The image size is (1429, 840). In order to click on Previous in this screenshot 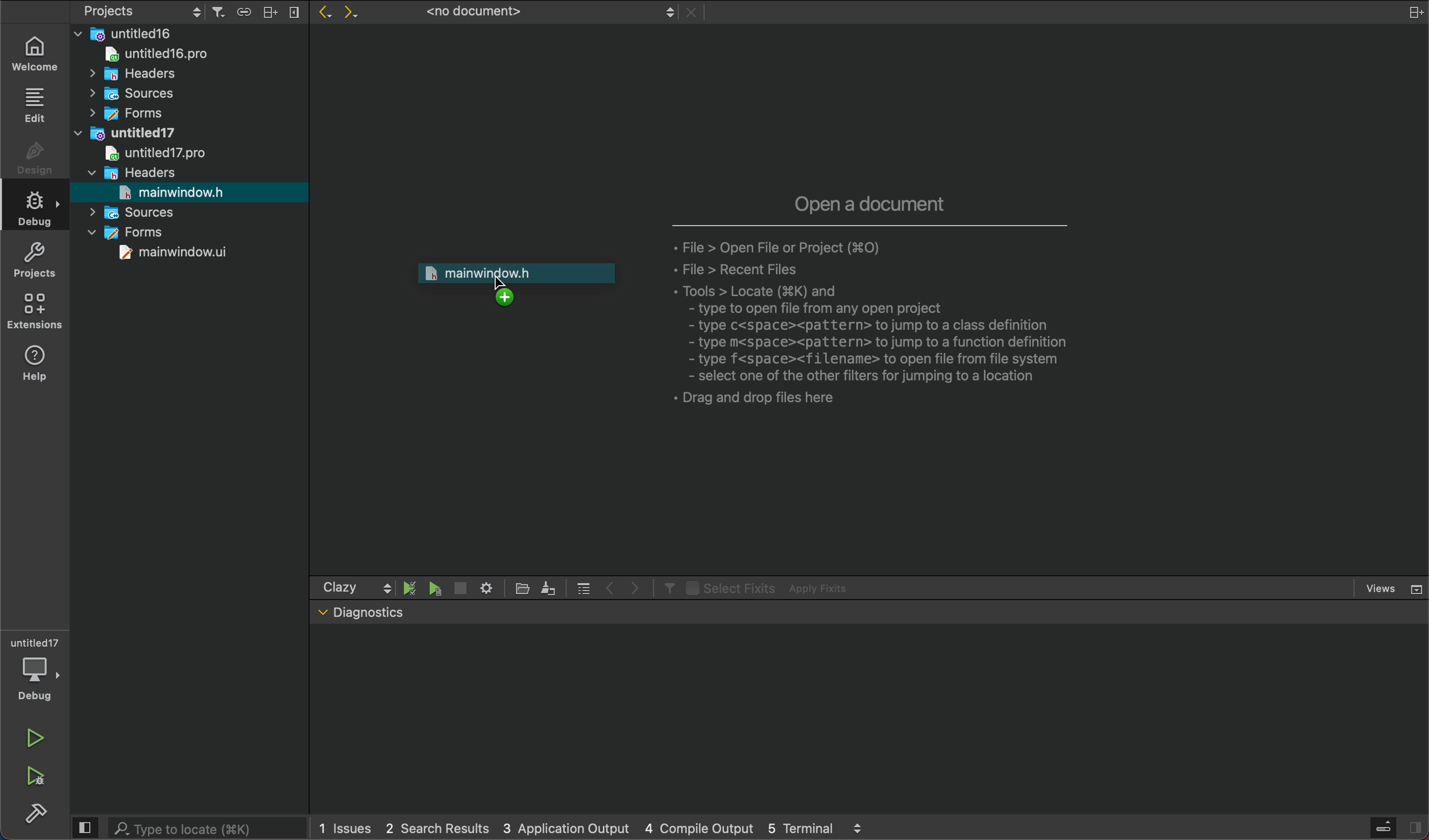, I will do `click(611, 586)`.